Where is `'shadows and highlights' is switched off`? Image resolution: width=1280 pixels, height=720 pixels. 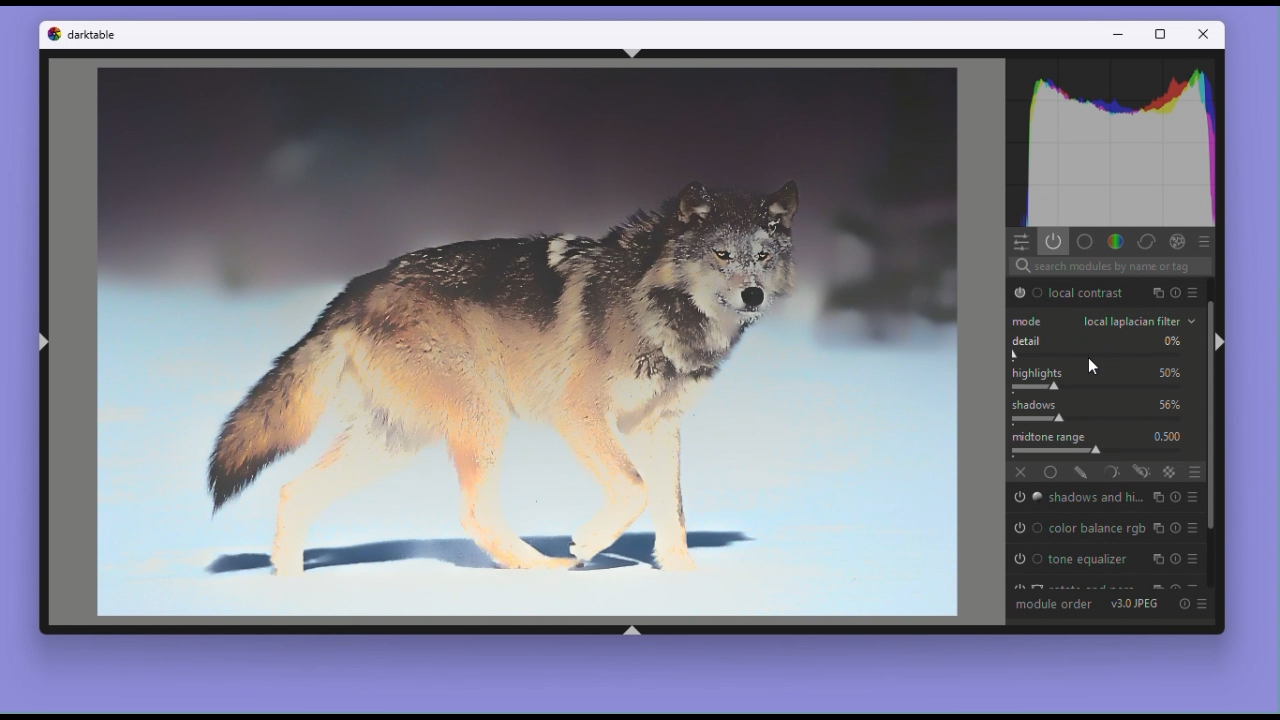 'shadows and highlights' is switched off is located at coordinates (1024, 498).